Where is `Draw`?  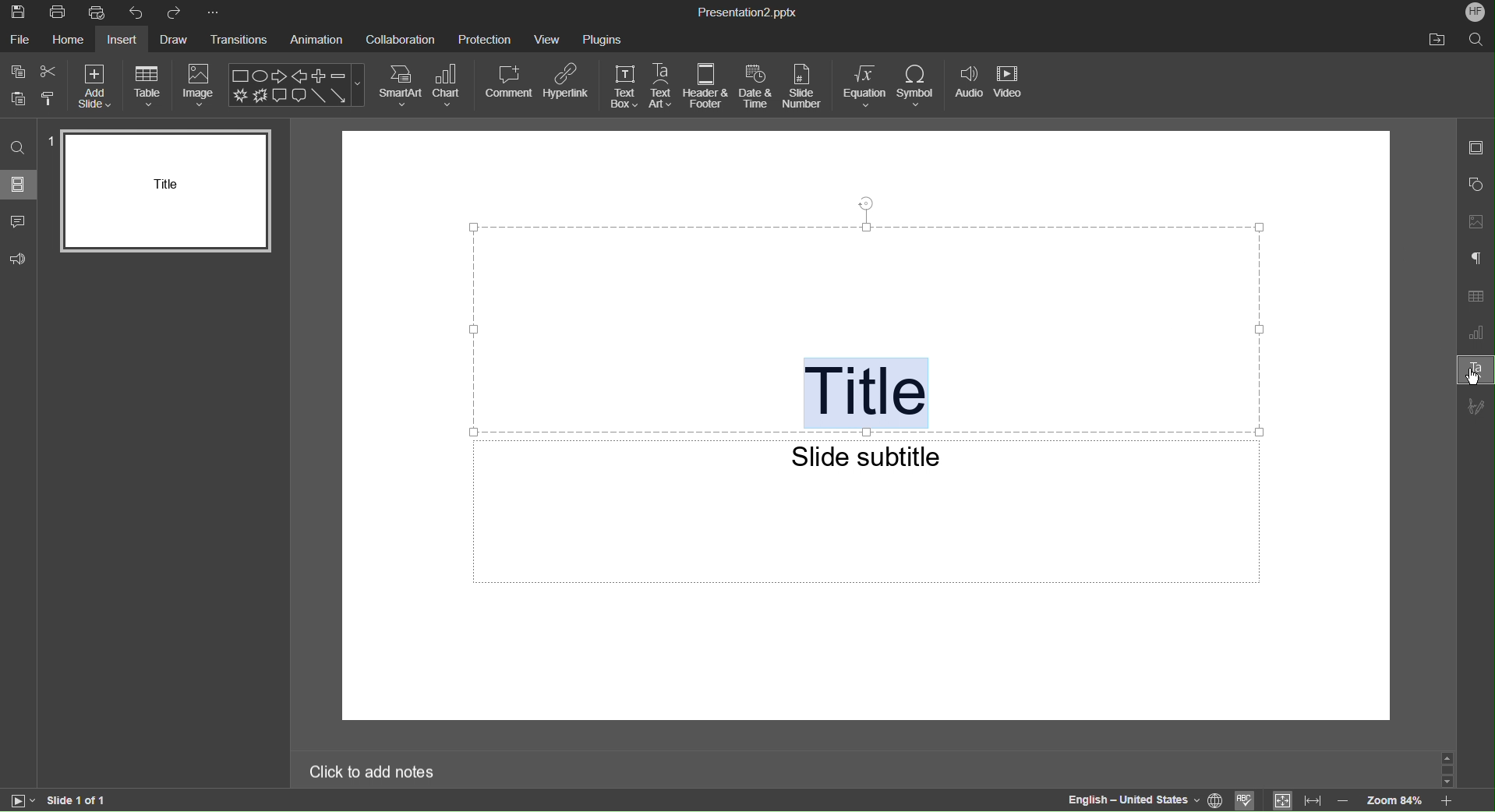 Draw is located at coordinates (178, 40).